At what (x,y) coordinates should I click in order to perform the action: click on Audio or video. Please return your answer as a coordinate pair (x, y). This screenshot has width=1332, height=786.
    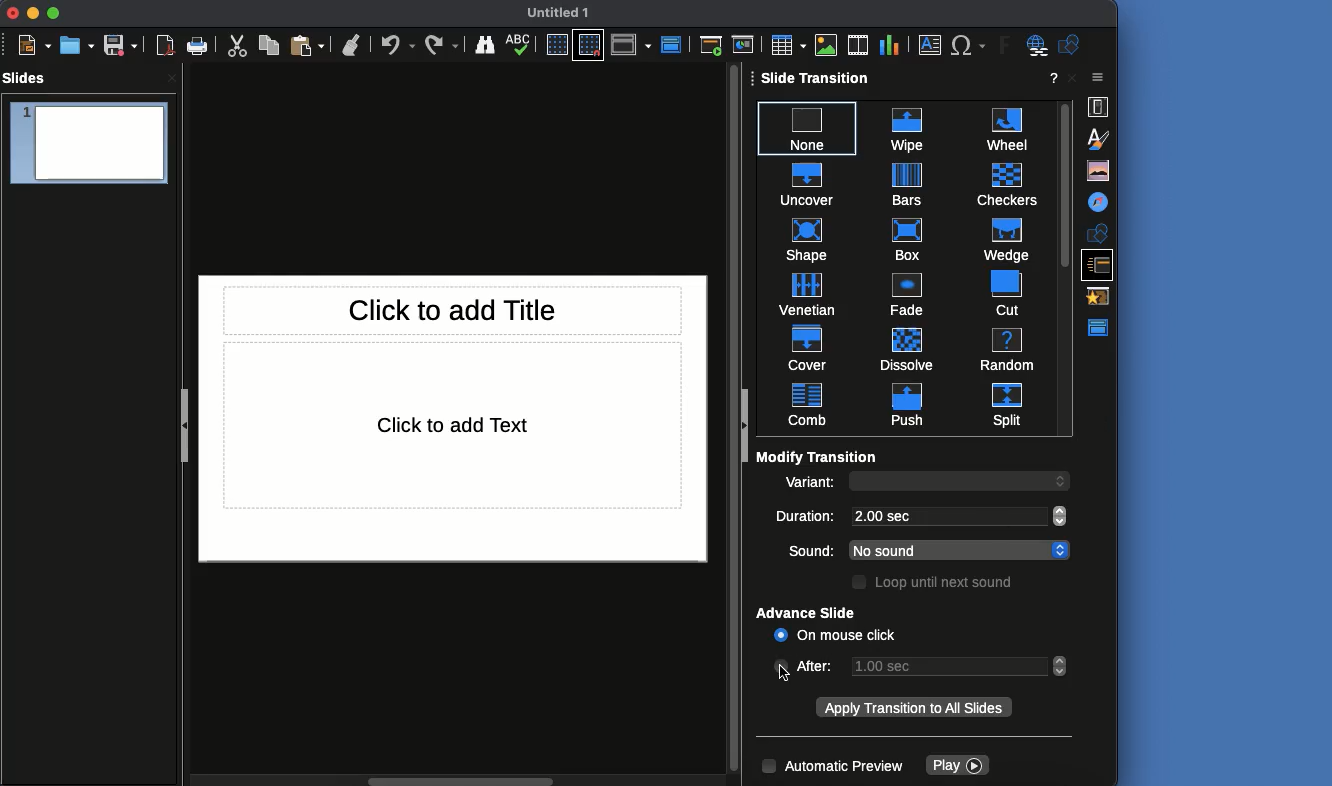
    Looking at the image, I should click on (857, 43).